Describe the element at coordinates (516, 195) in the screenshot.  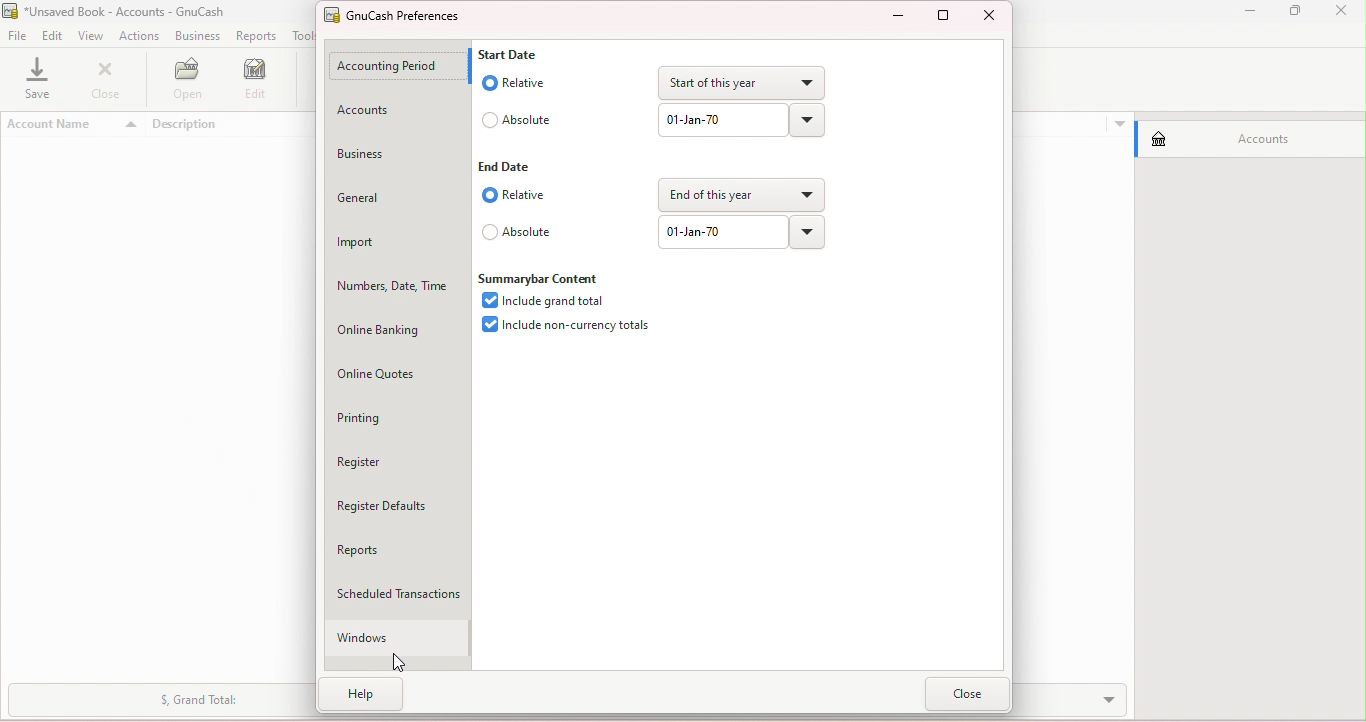
I see `Relative` at that location.